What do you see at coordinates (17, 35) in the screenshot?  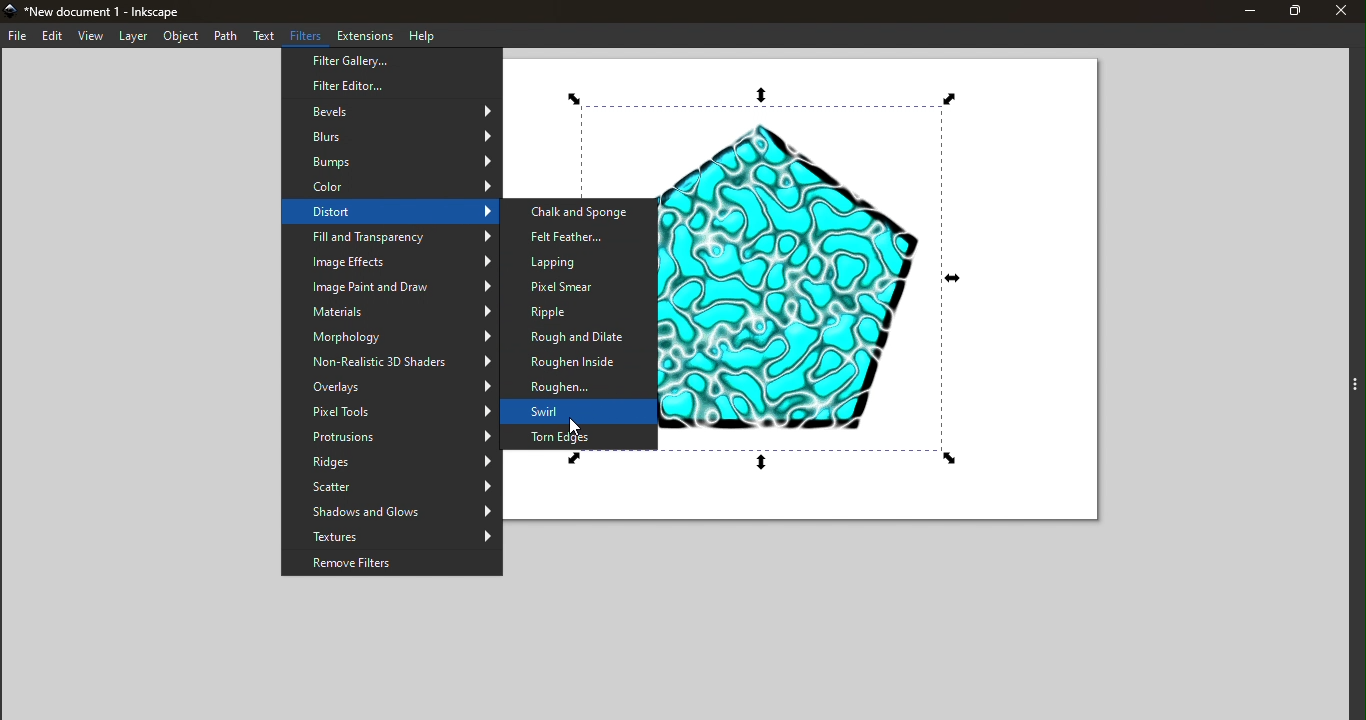 I see `File` at bounding box center [17, 35].